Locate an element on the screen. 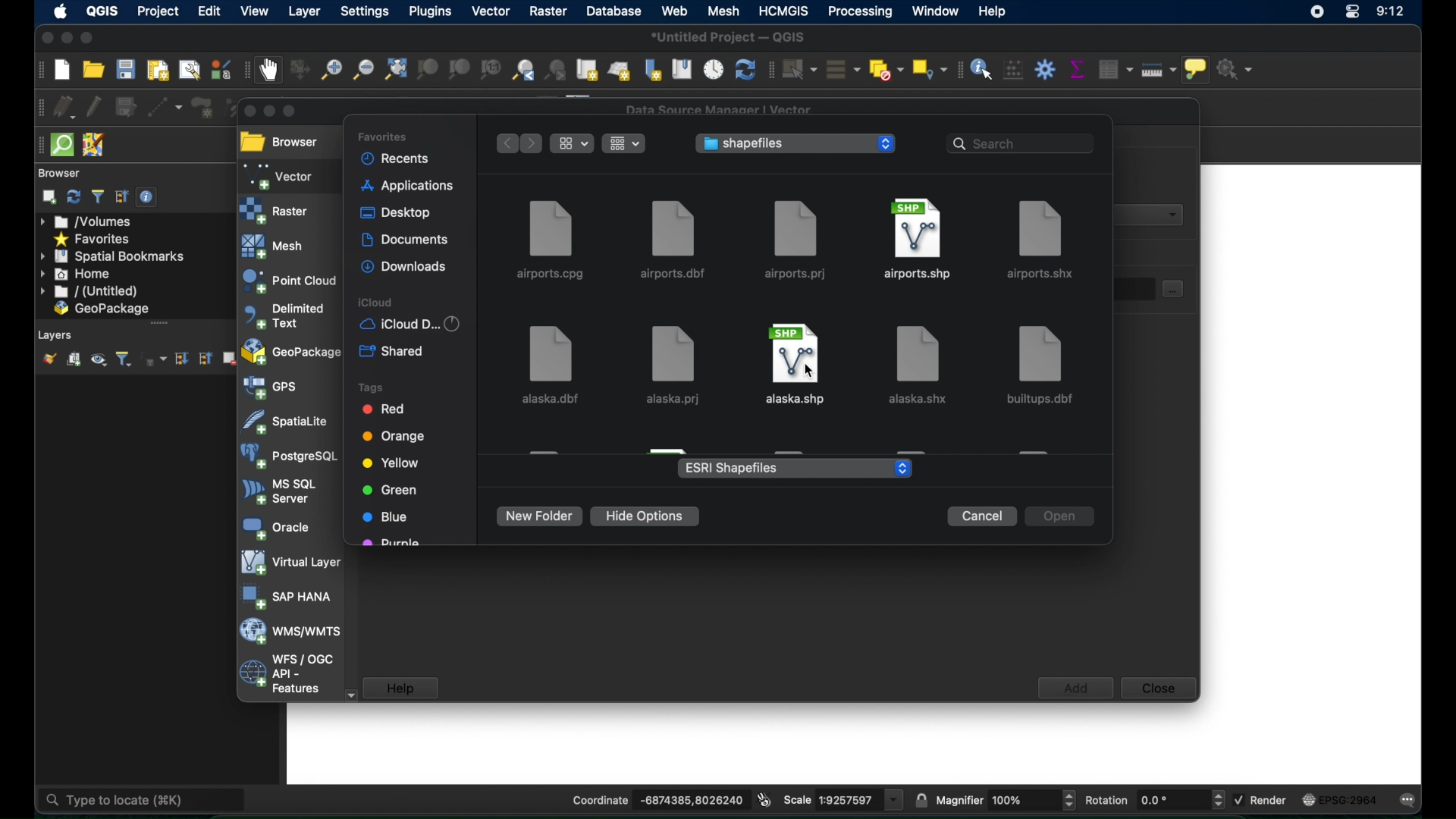 Image resolution: width=1456 pixels, height=819 pixels. desktop is located at coordinates (395, 214).